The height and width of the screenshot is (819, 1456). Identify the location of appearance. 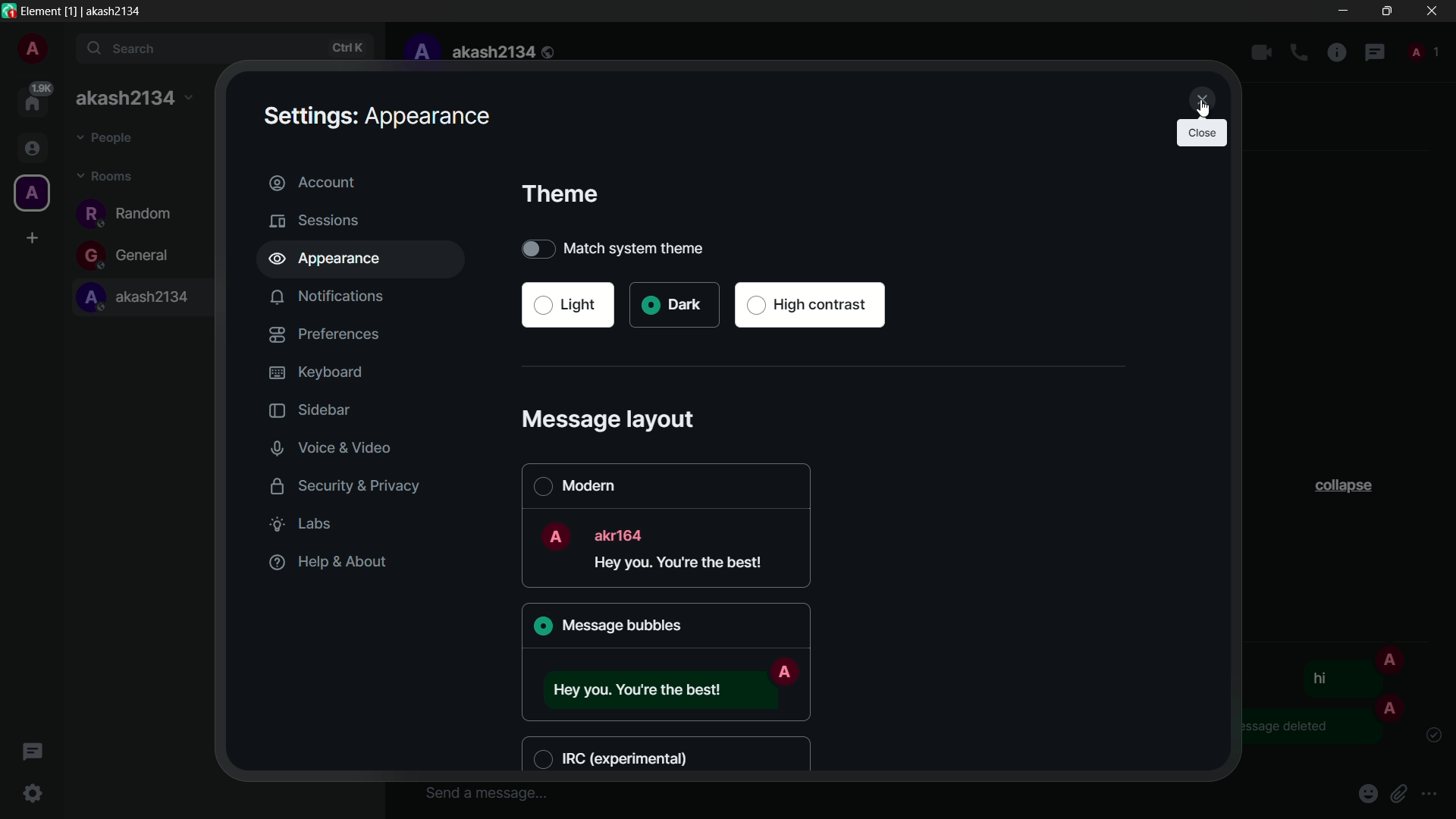
(366, 260).